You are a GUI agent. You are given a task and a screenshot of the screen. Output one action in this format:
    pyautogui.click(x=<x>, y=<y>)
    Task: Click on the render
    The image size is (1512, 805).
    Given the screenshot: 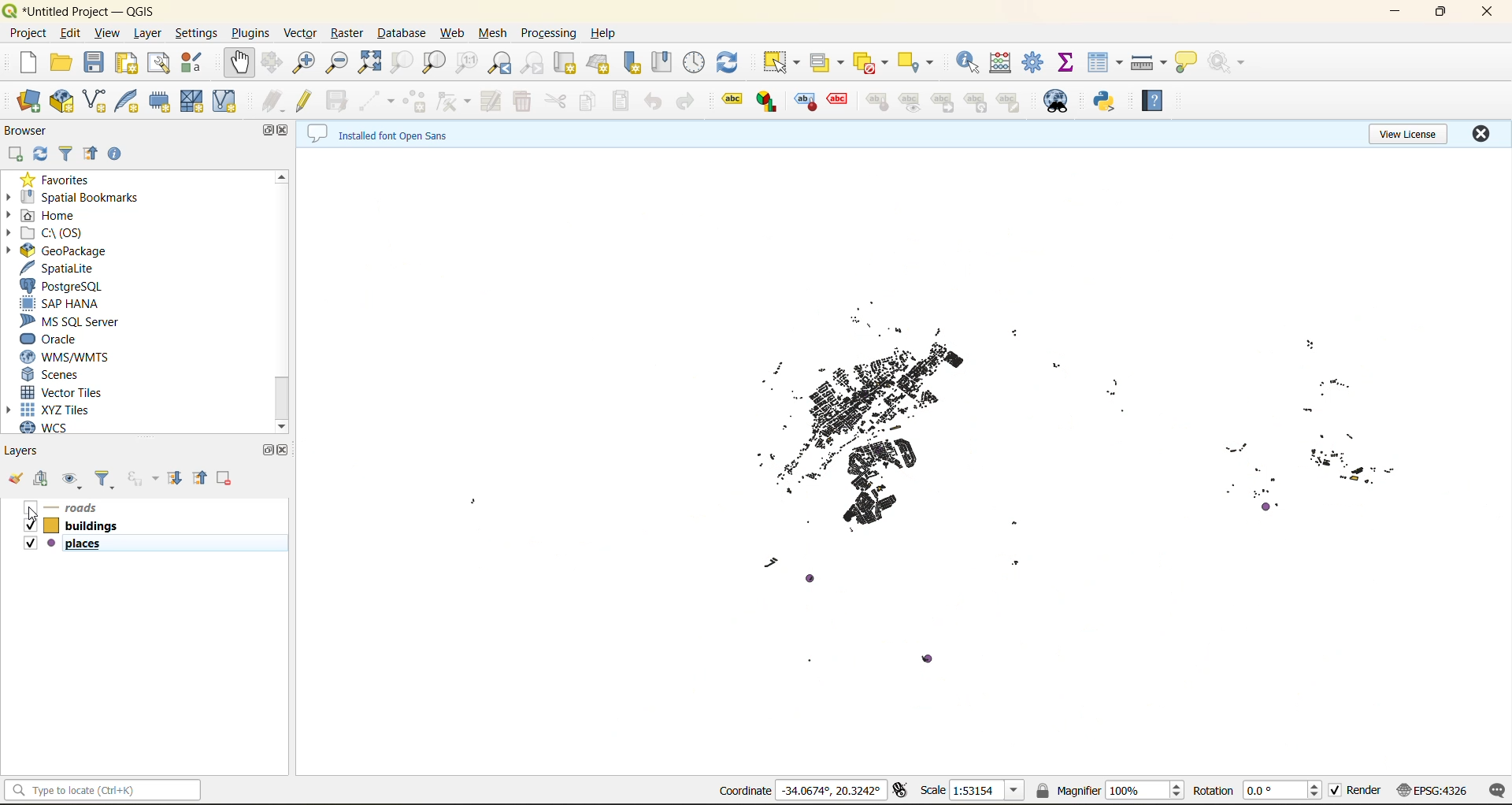 What is the action you would take?
    pyautogui.click(x=1354, y=791)
    